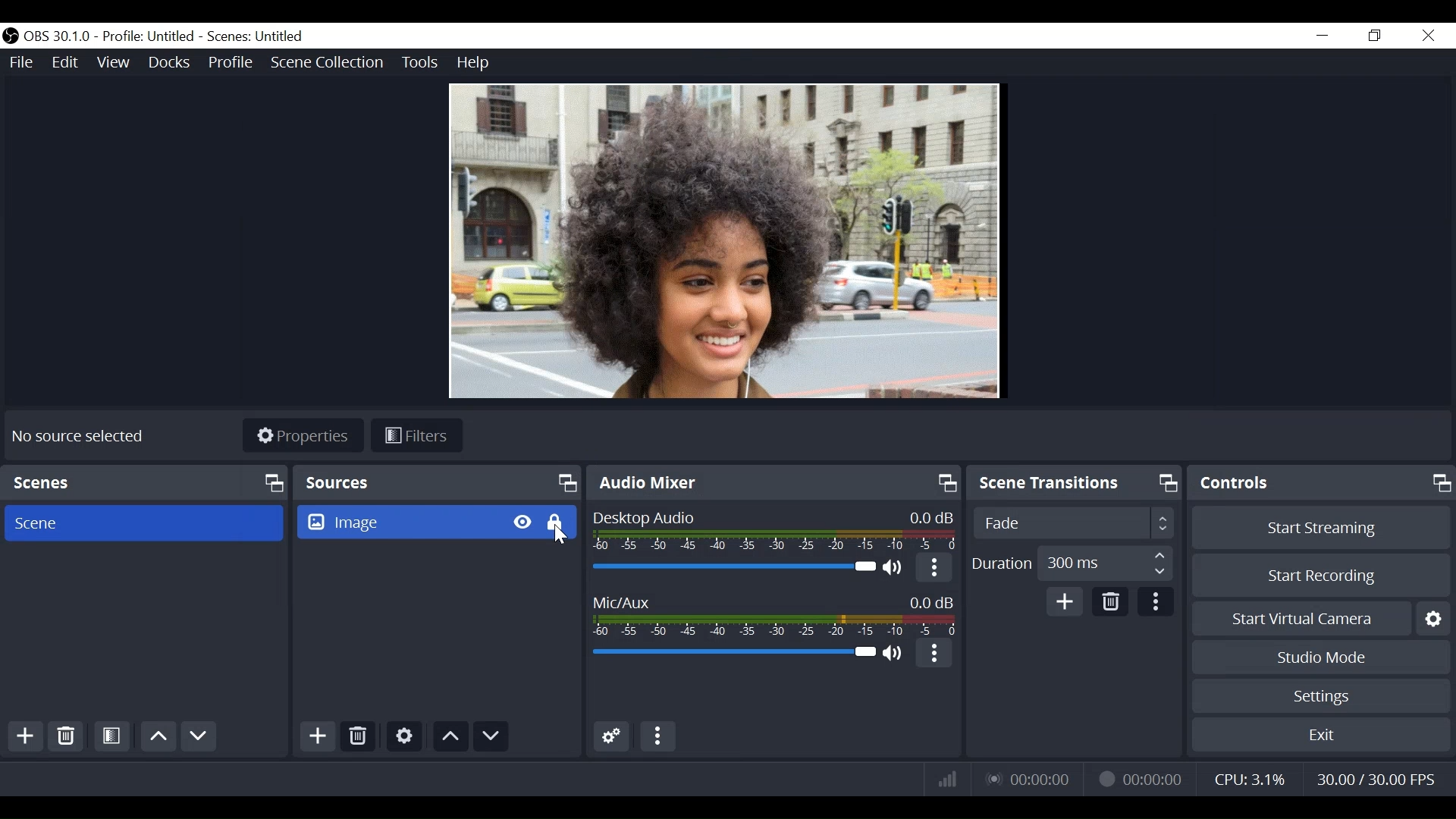 Image resolution: width=1456 pixels, height=819 pixels. I want to click on Tools, so click(421, 62).